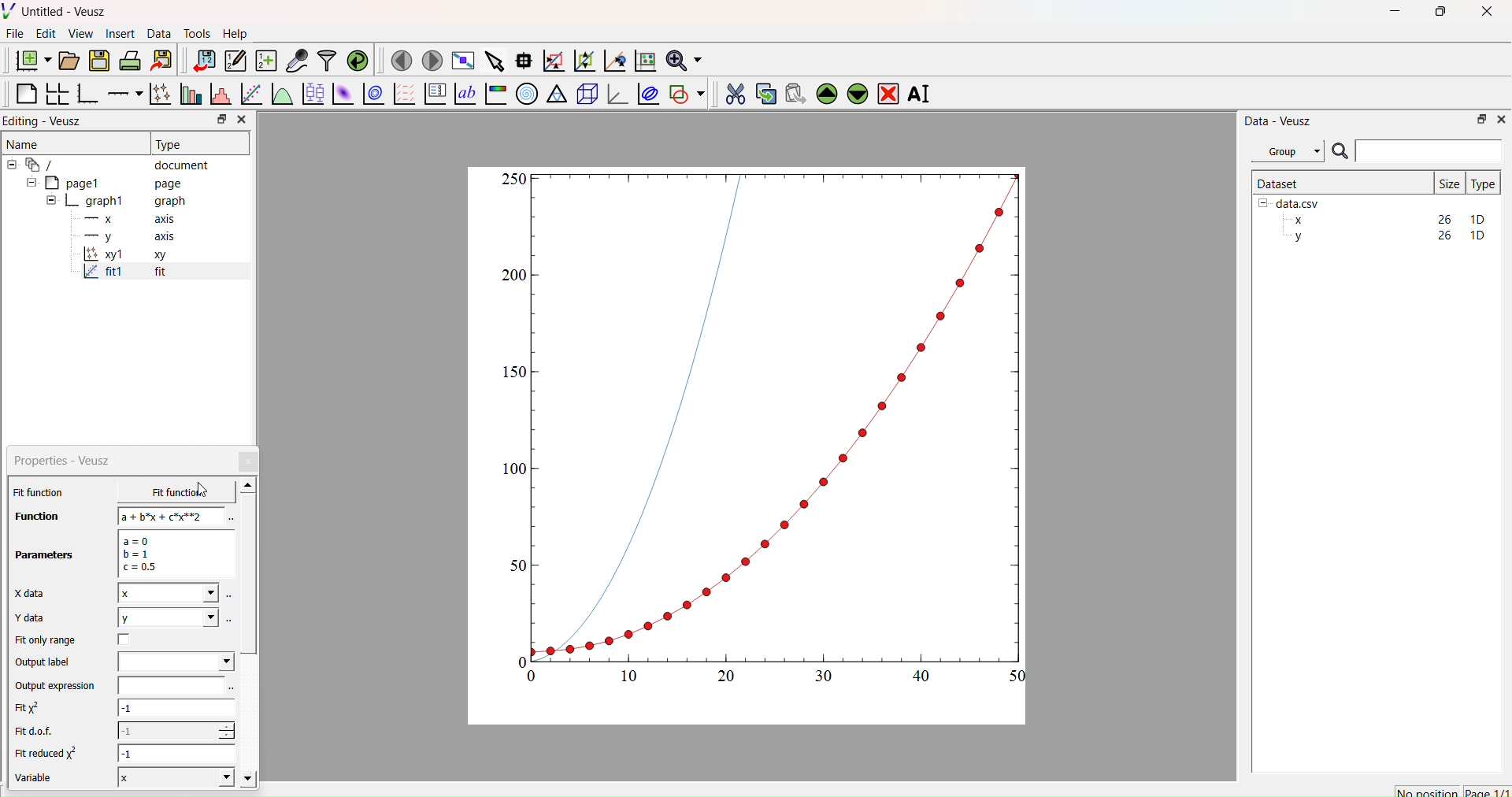  What do you see at coordinates (922, 94) in the screenshot?
I see `Rename` at bounding box center [922, 94].